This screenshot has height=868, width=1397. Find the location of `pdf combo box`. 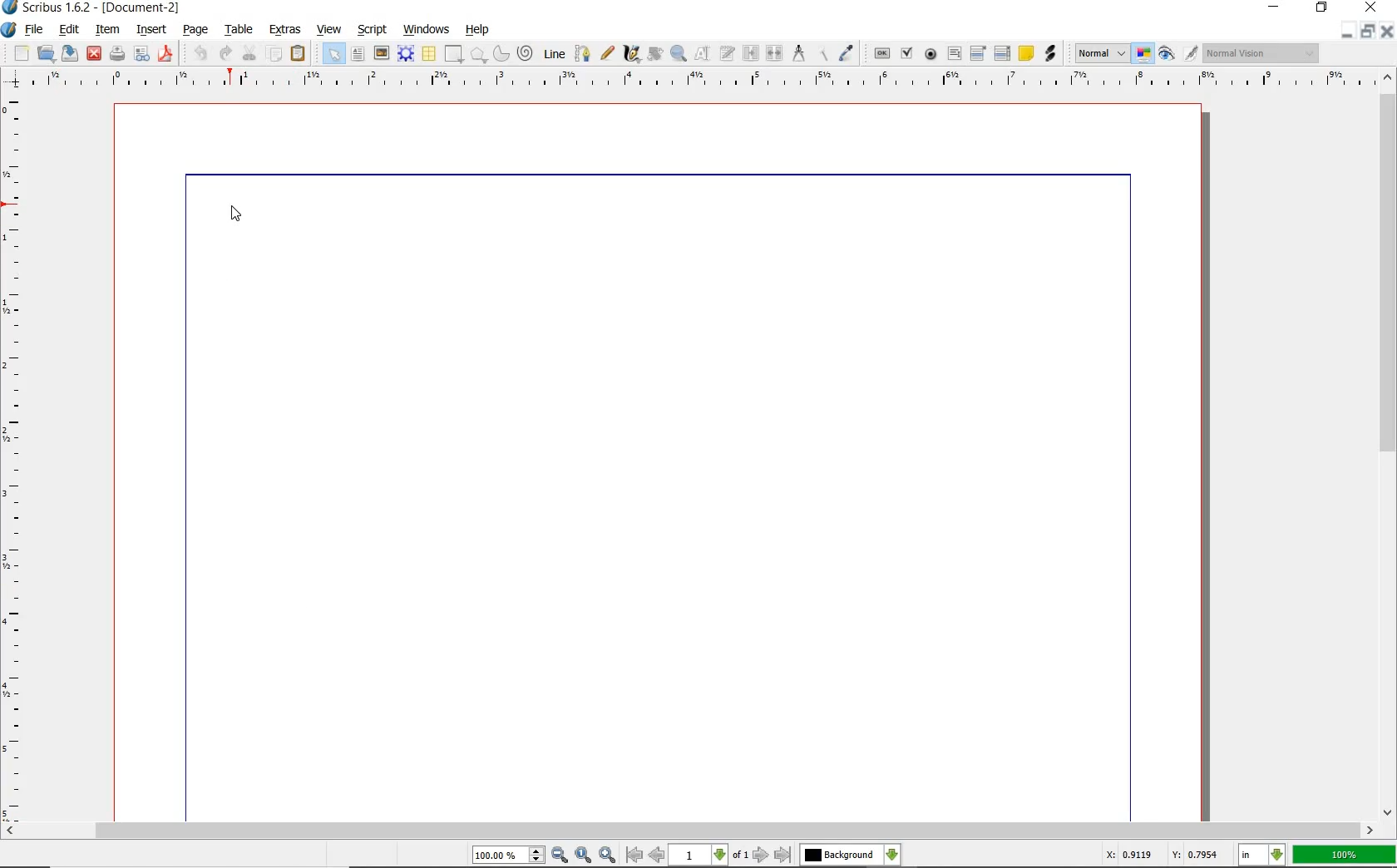

pdf combo box is located at coordinates (979, 53).